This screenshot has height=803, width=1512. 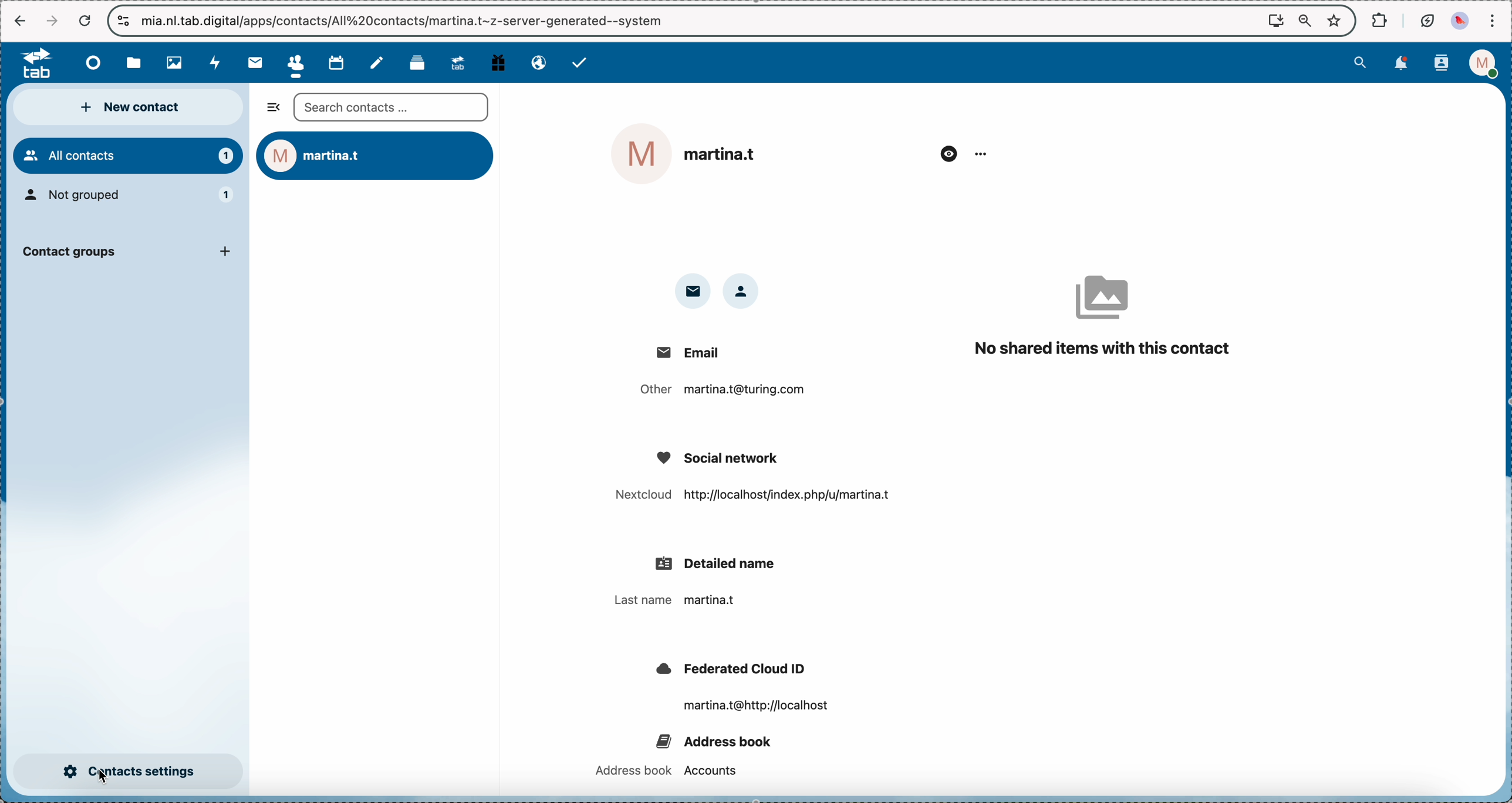 What do you see at coordinates (127, 156) in the screenshot?
I see `all contacts` at bounding box center [127, 156].